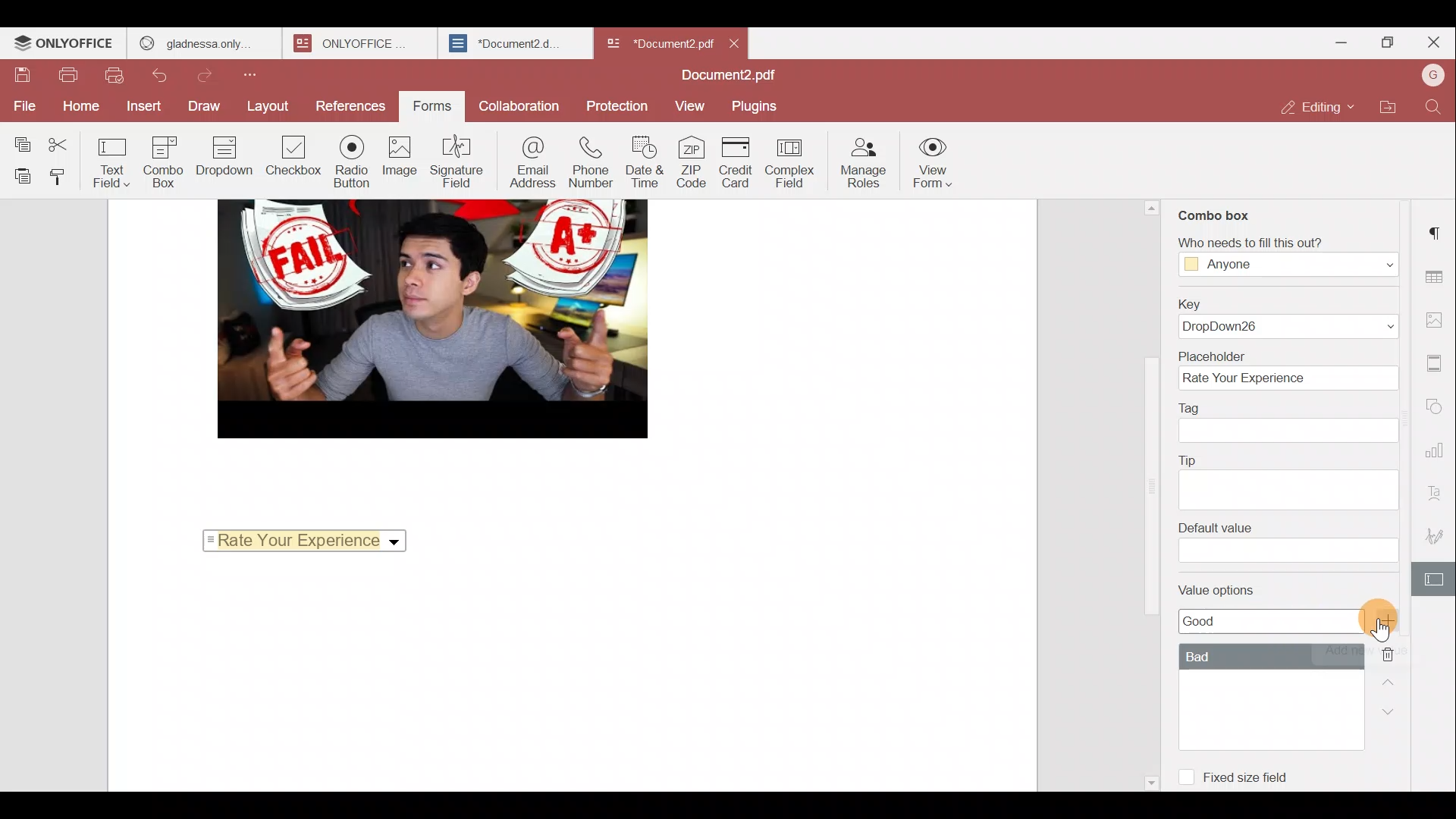 This screenshot has width=1456, height=819. What do you see at coordinates (1391, 655) in the screenshot?
I see `Remove value` at bounding box center [1391, 655].